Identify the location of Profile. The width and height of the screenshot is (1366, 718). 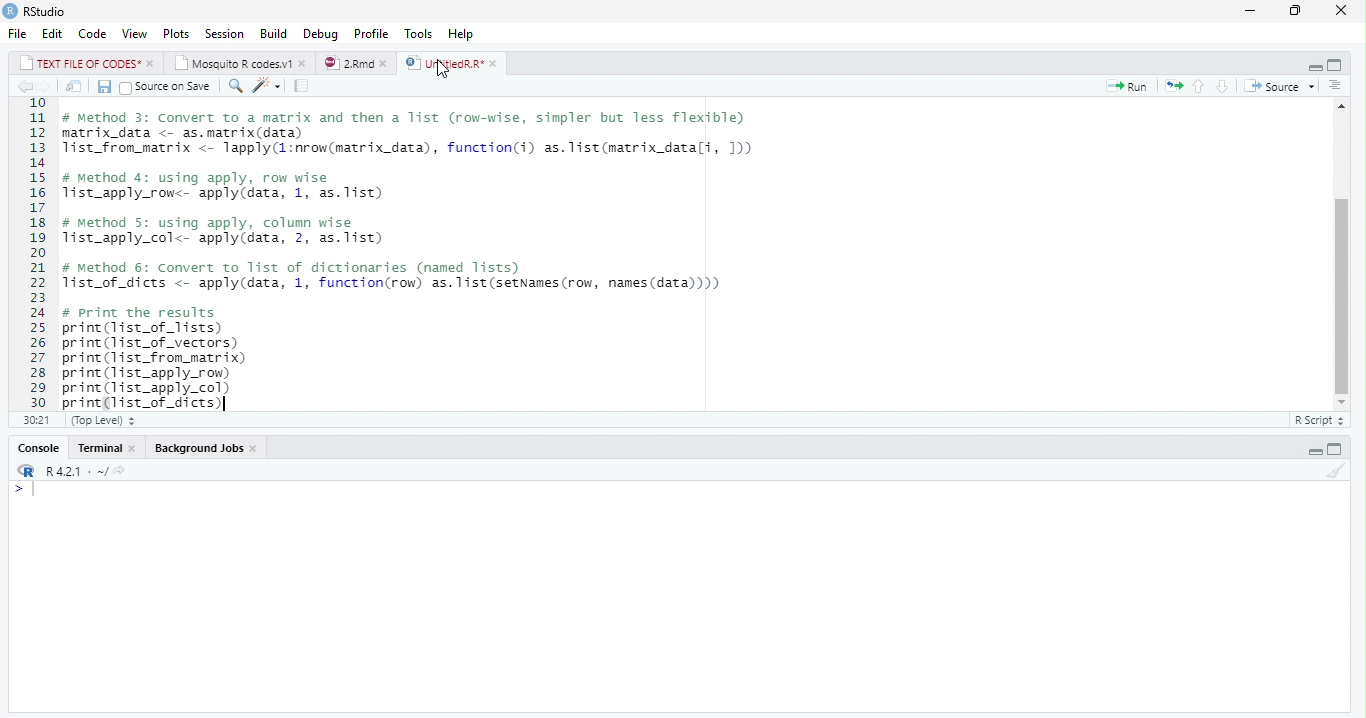
(372, 32).